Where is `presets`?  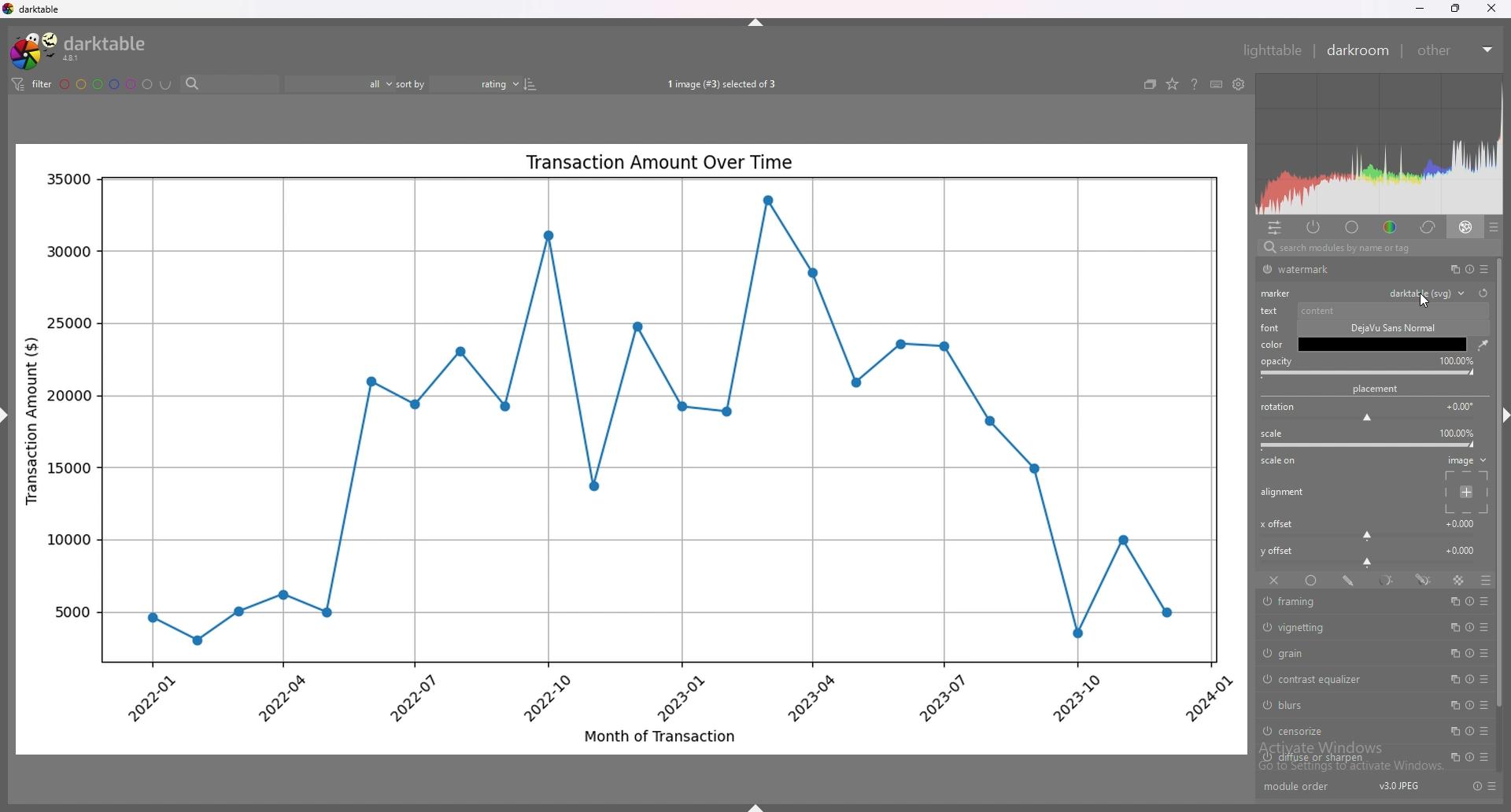 presets is located at coordinates (1484, 269).